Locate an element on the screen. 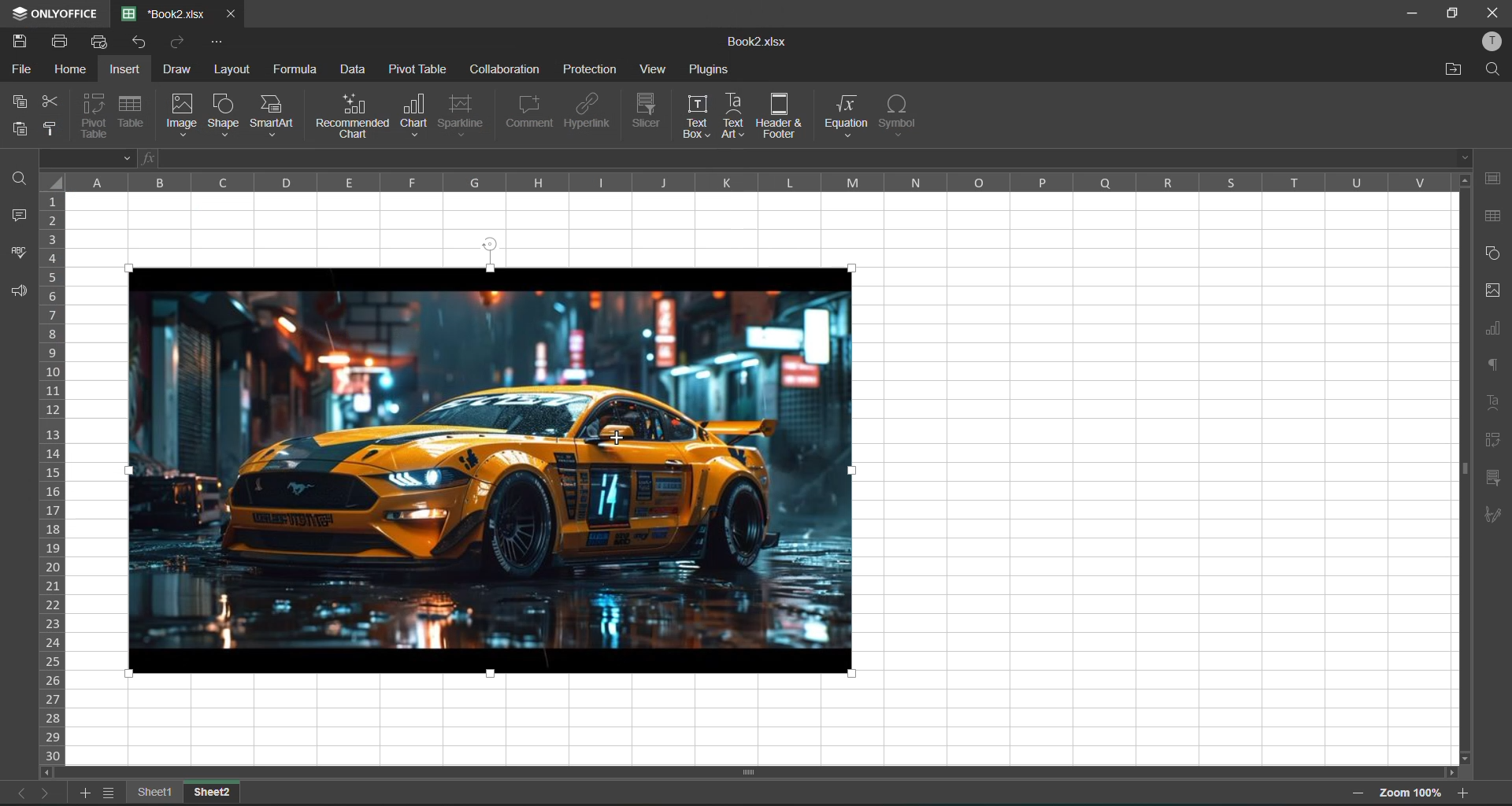  home is located at coordinates (75, 70).